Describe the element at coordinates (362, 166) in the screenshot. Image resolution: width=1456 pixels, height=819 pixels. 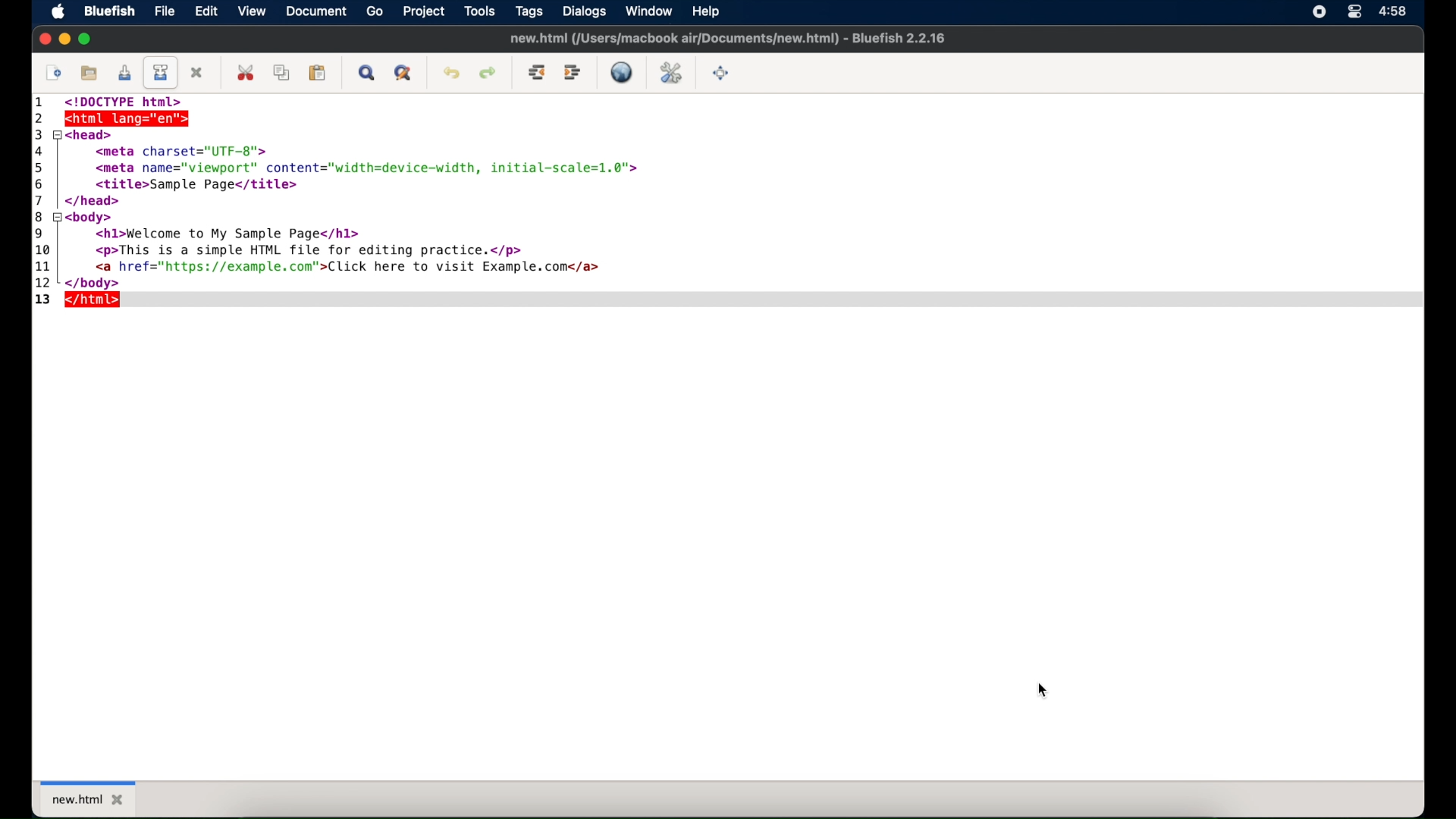
I see `<meta name="viewport" content="width=device-width, initial-scale=1.0">` at that location.